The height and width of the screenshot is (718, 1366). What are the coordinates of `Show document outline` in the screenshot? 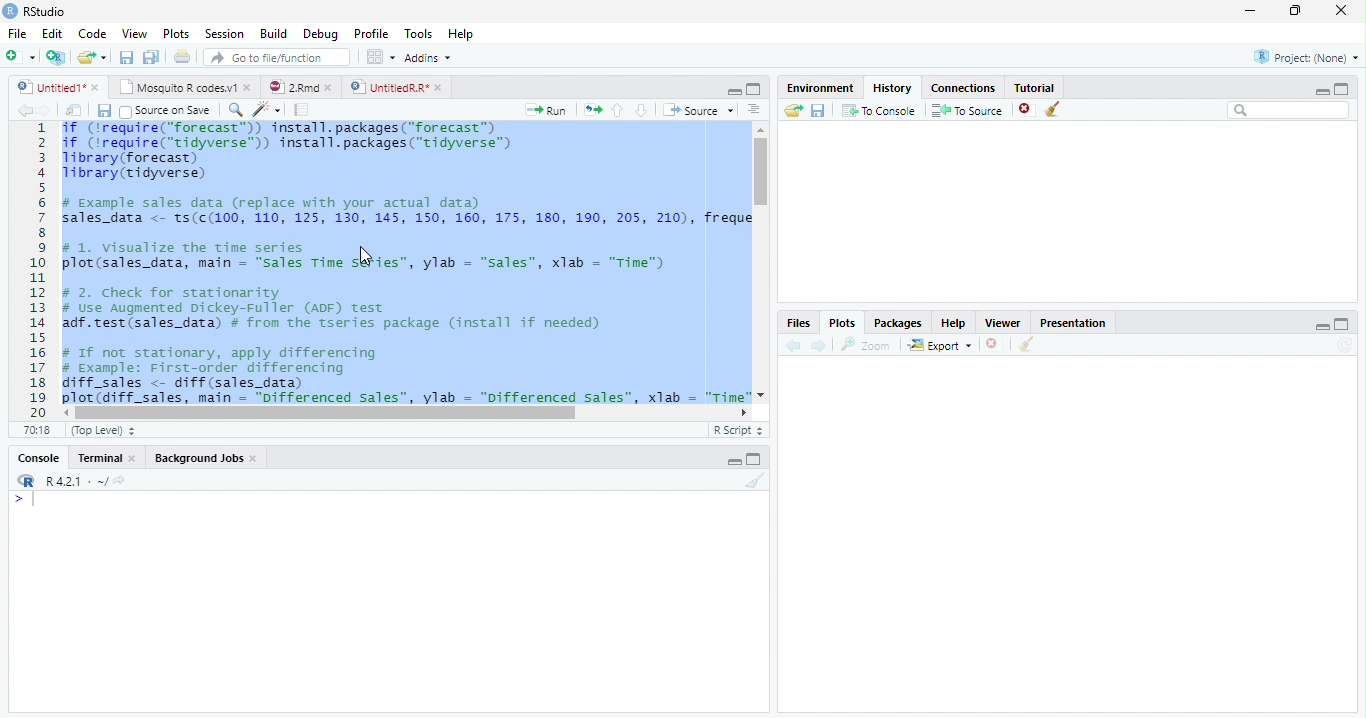 It's located at (754, 111).